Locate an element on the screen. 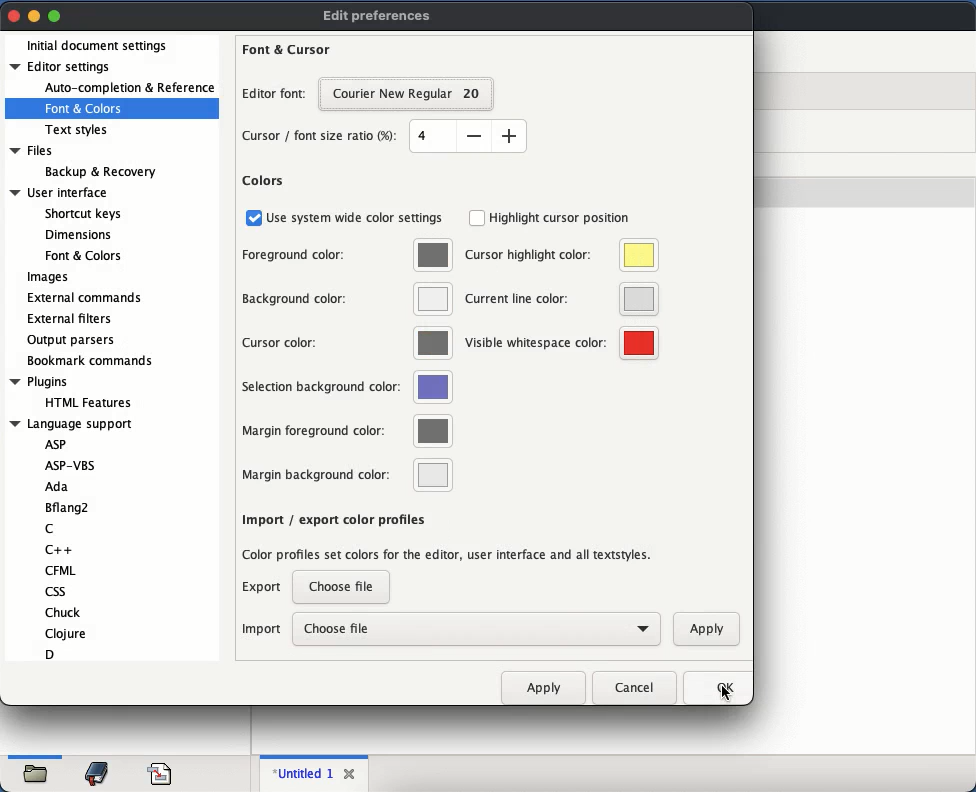  color is located at coordinates (434, 475).